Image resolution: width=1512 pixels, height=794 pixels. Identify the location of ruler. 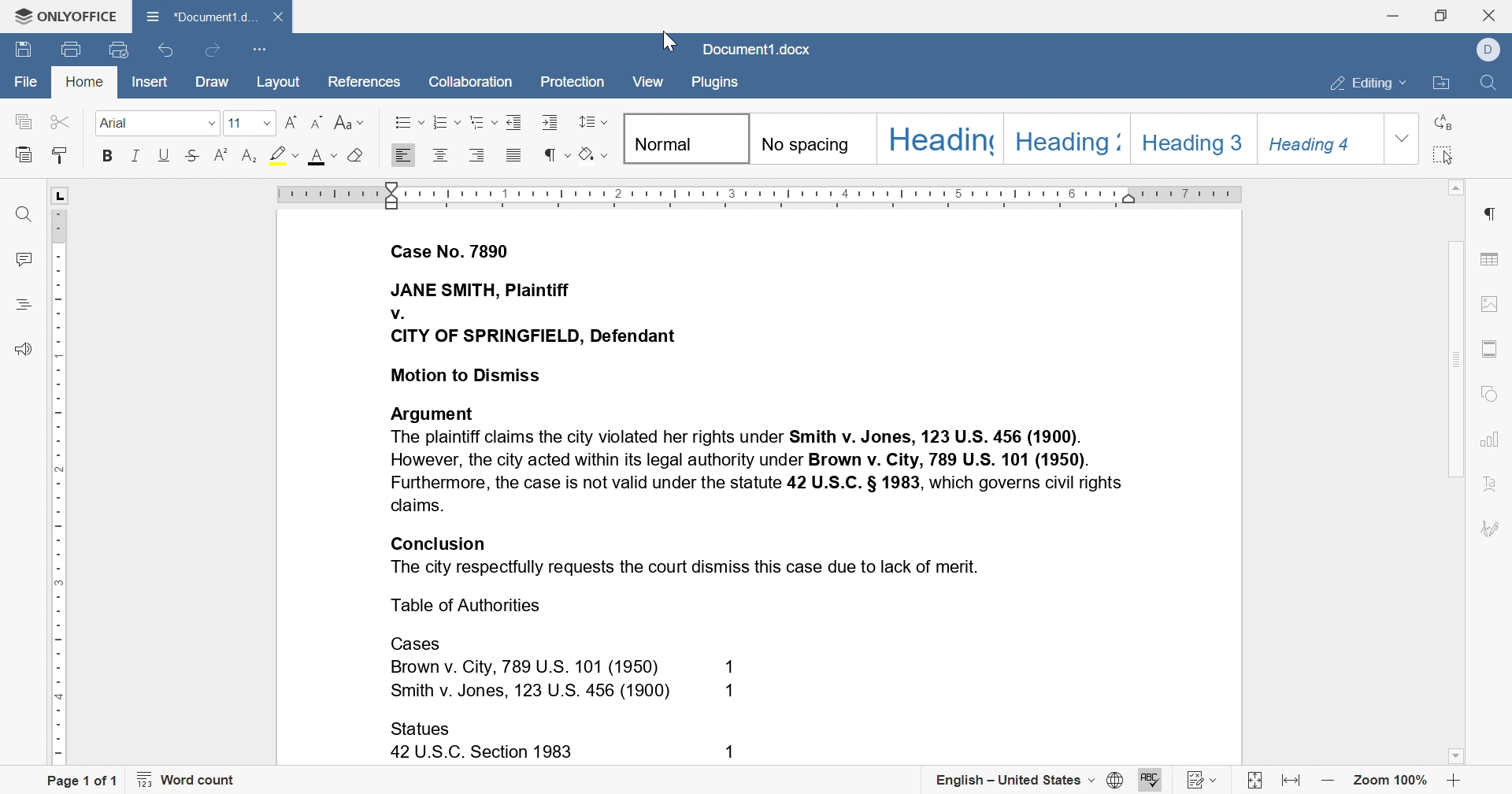
(60, 500).